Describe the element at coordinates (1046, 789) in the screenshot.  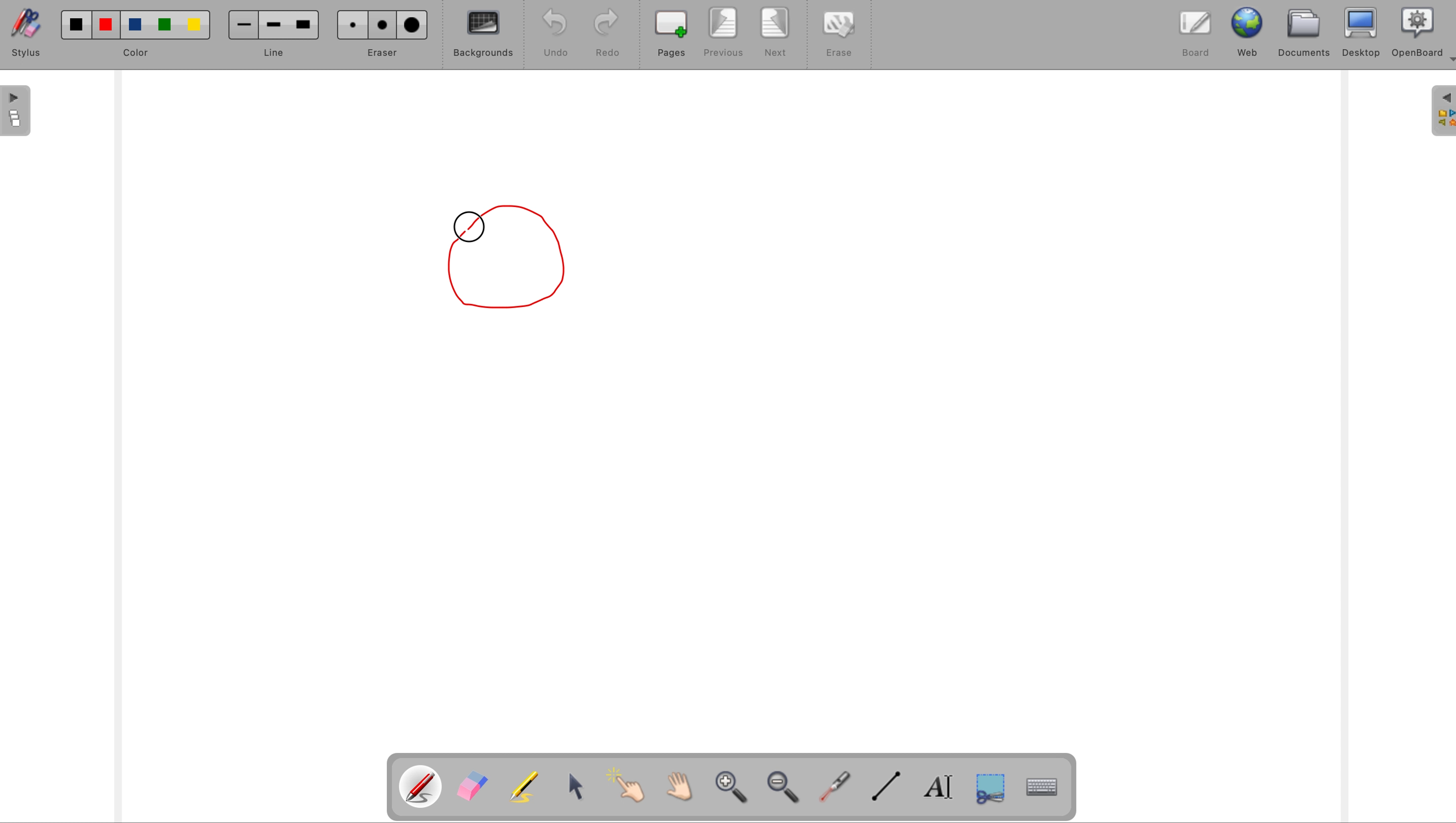
I see `display keyboard` at that location.